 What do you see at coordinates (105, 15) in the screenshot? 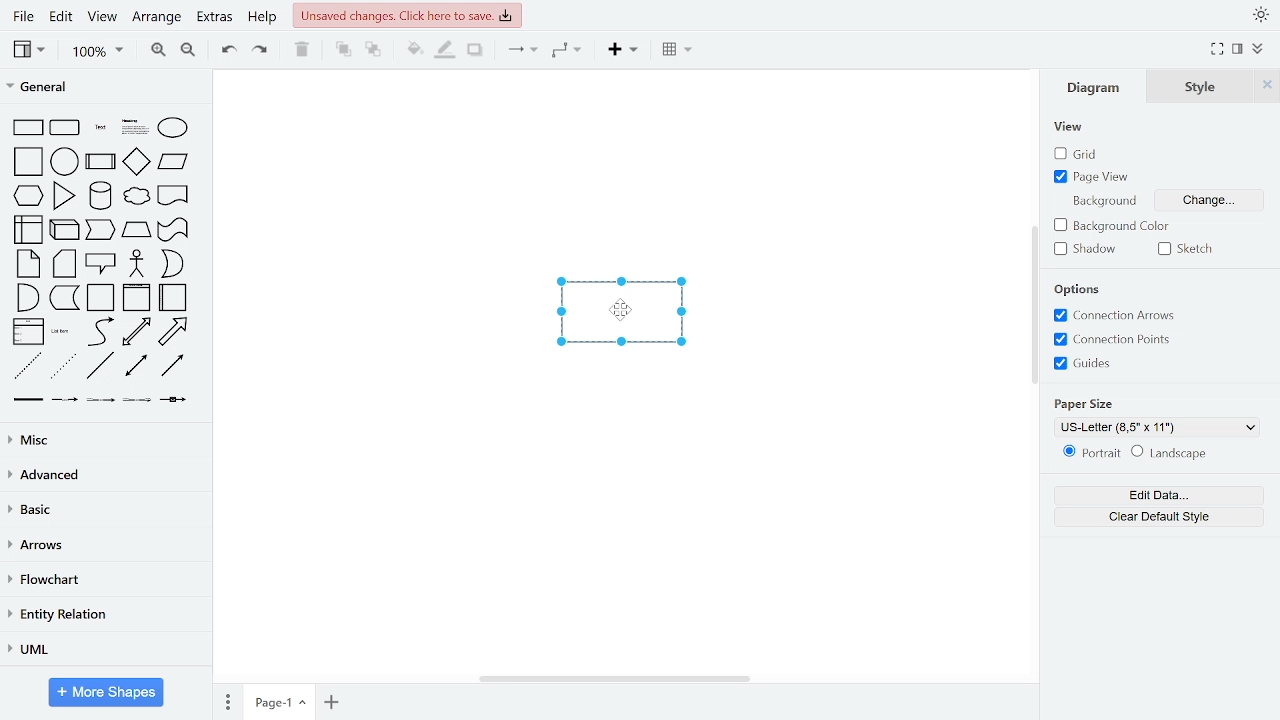
I see `view` at bounding box center [105, 15].